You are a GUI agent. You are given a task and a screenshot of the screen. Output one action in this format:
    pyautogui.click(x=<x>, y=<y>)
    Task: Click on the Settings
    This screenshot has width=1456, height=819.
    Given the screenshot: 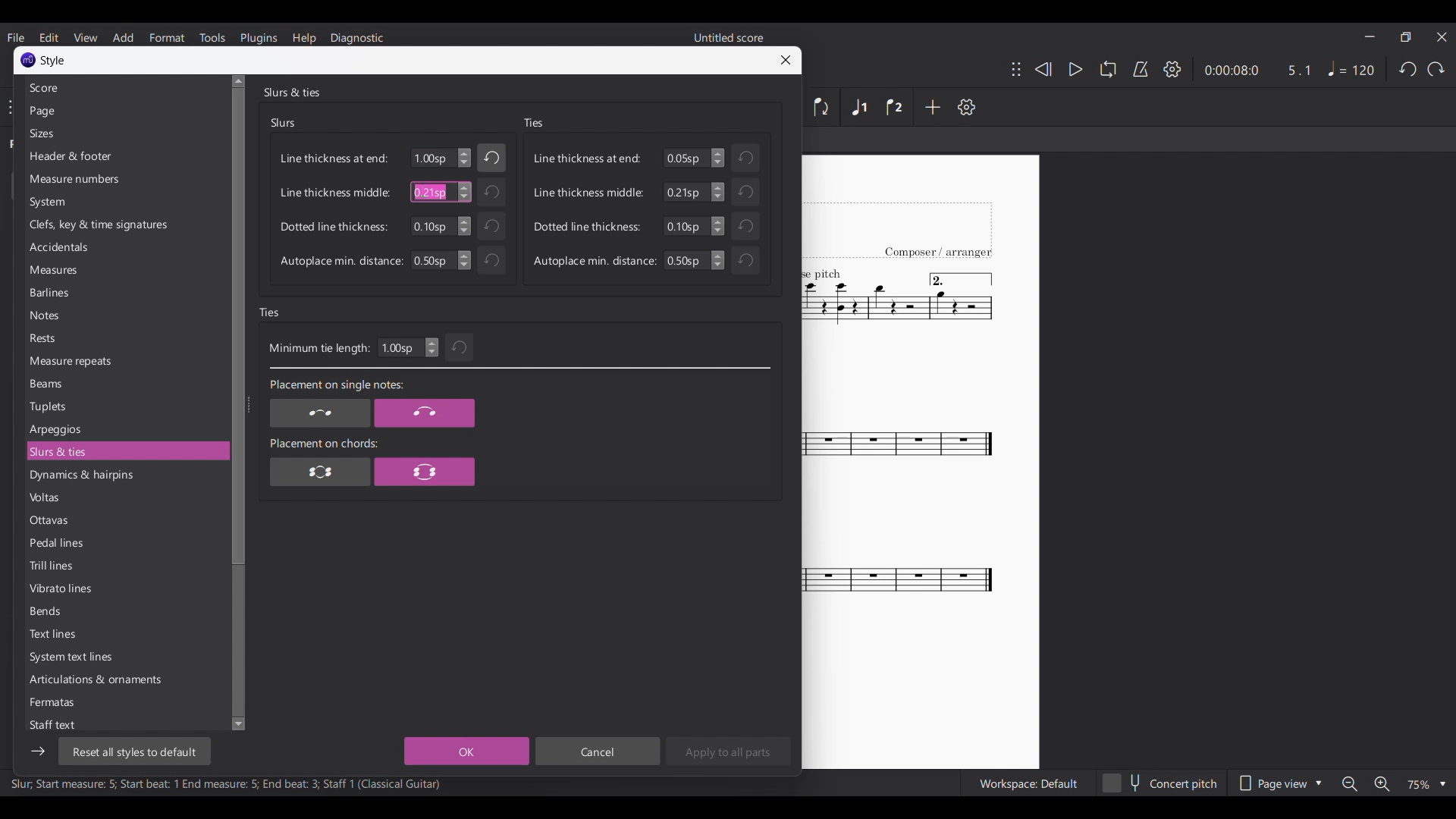 What is the action you would take?
    pyautogui.click(x=967, y=107)
    